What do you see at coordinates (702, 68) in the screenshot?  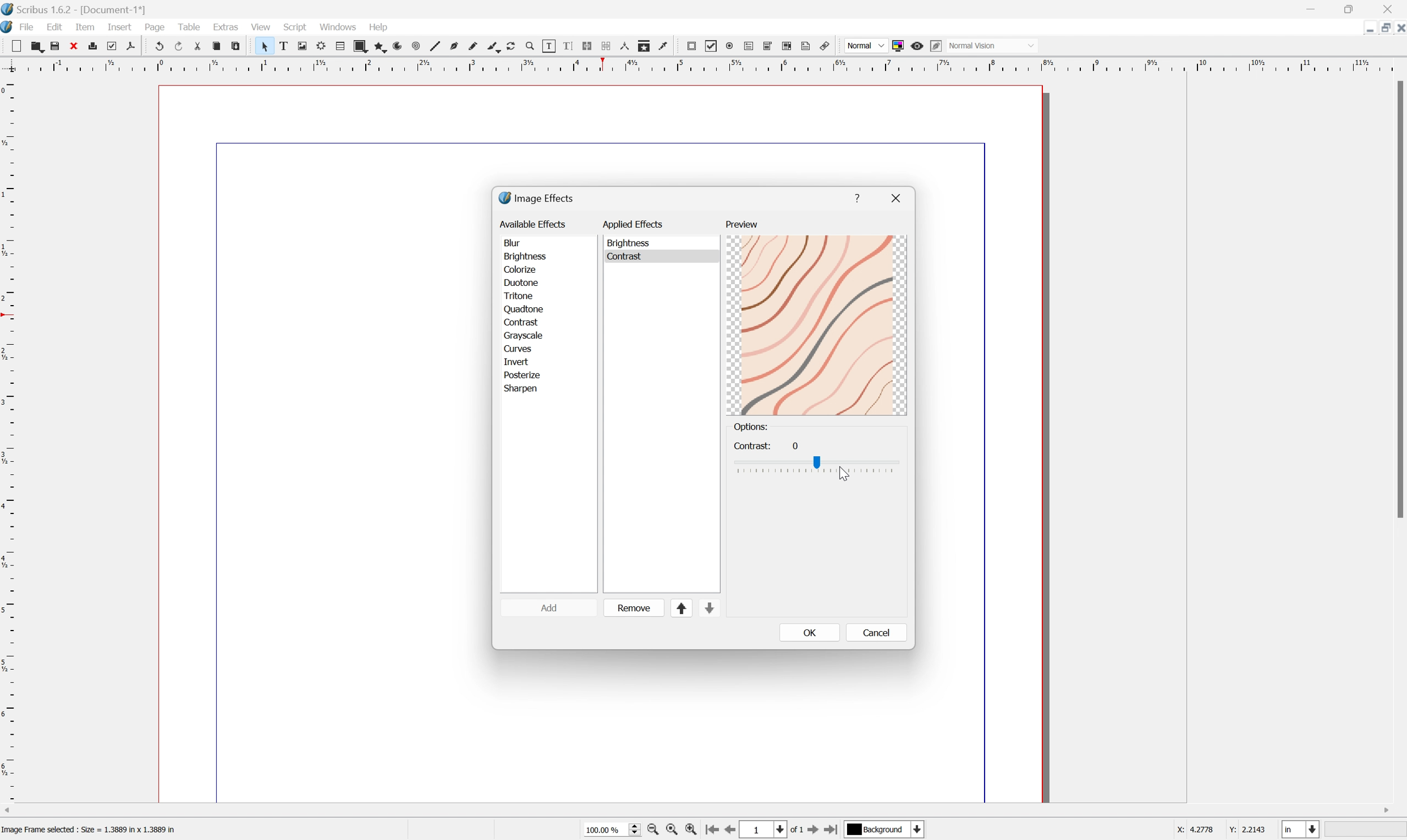 I see `Horizontal Margin` at bounding box center [702, 68].